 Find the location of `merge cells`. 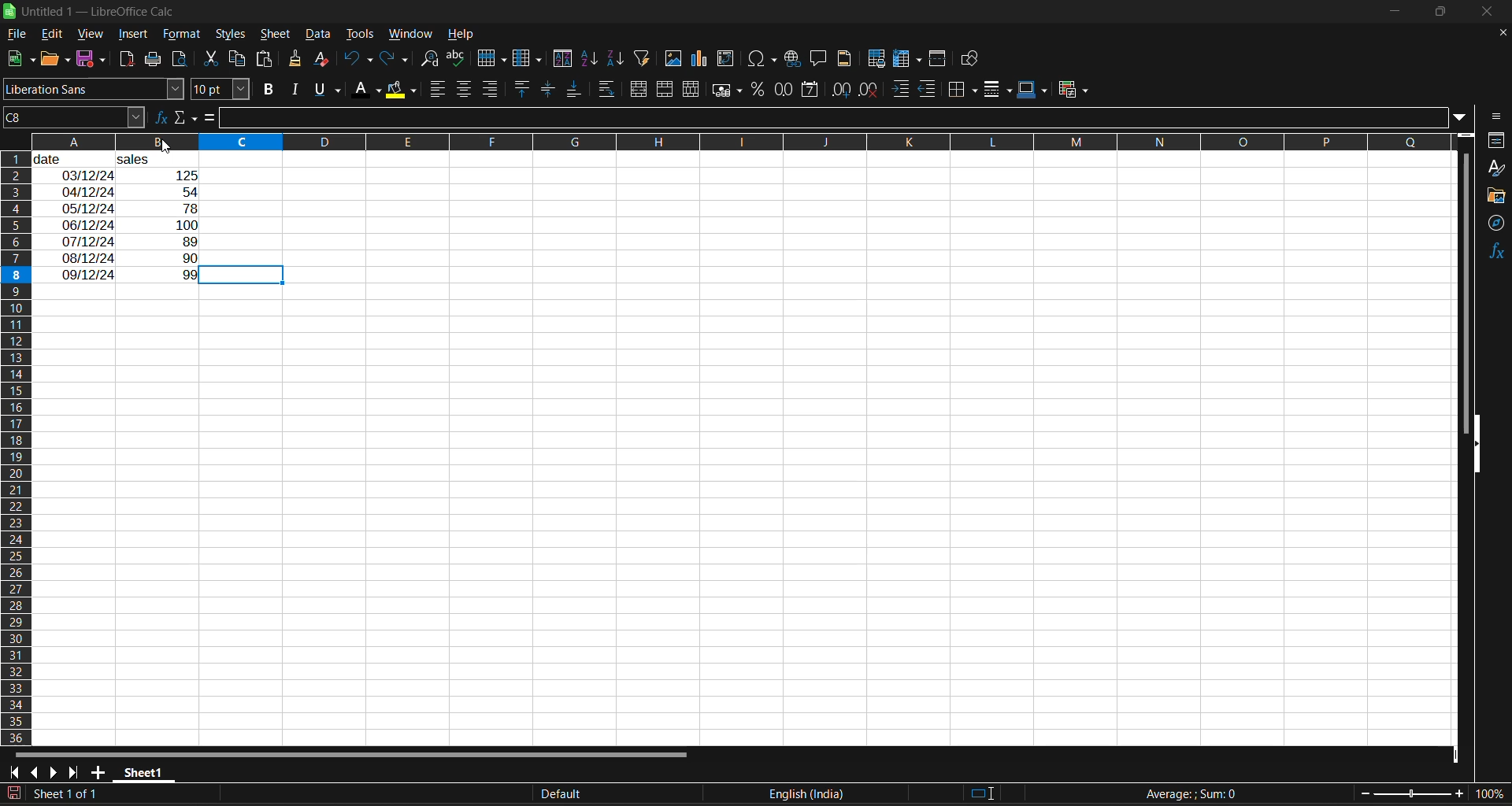

merge cells is located at coordinates (666, 89).